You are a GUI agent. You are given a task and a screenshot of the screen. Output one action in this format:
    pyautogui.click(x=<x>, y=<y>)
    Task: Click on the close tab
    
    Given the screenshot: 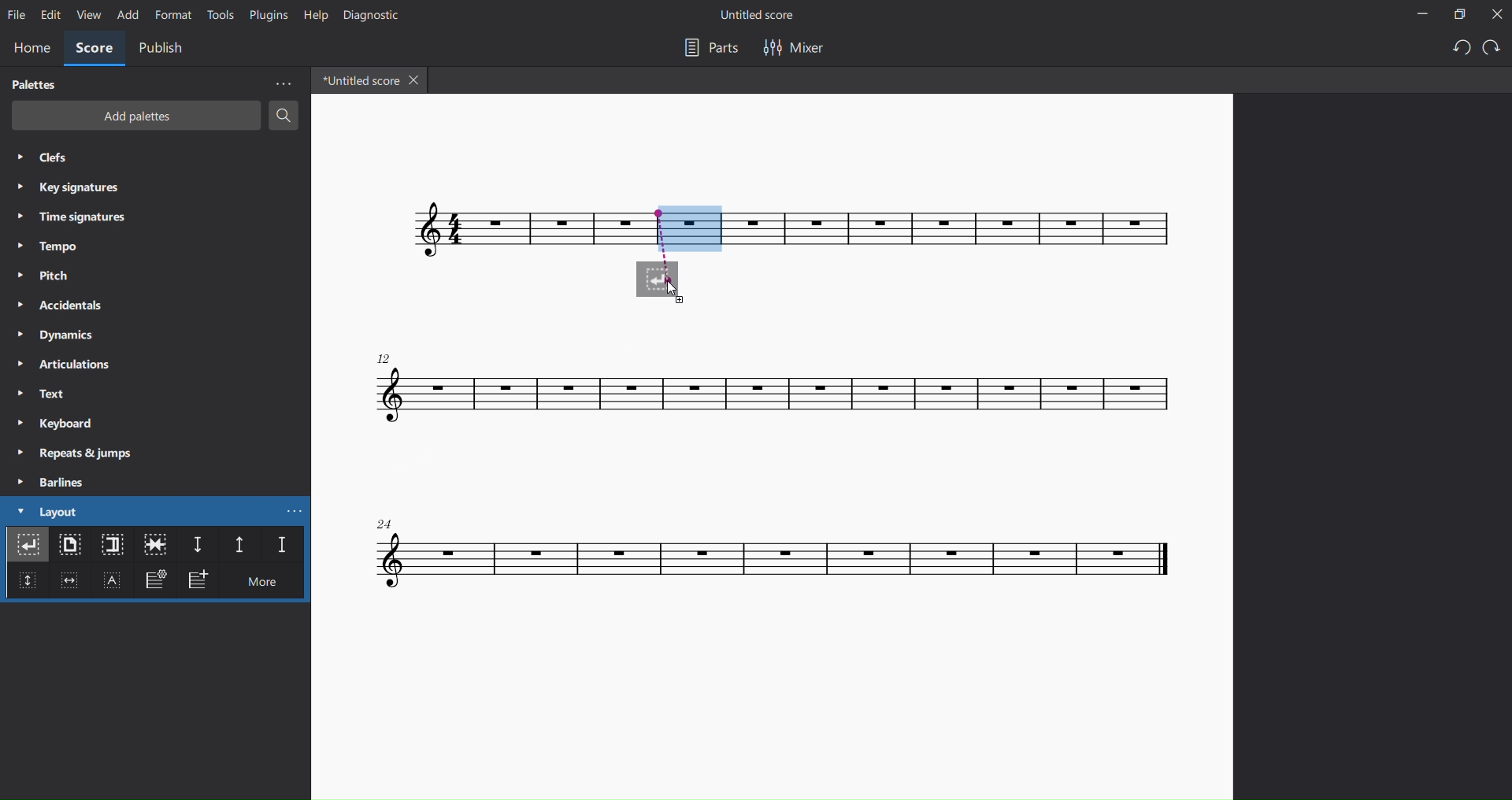 What is the action you would take?
    pyautogui.click(x=417, y=82)
    